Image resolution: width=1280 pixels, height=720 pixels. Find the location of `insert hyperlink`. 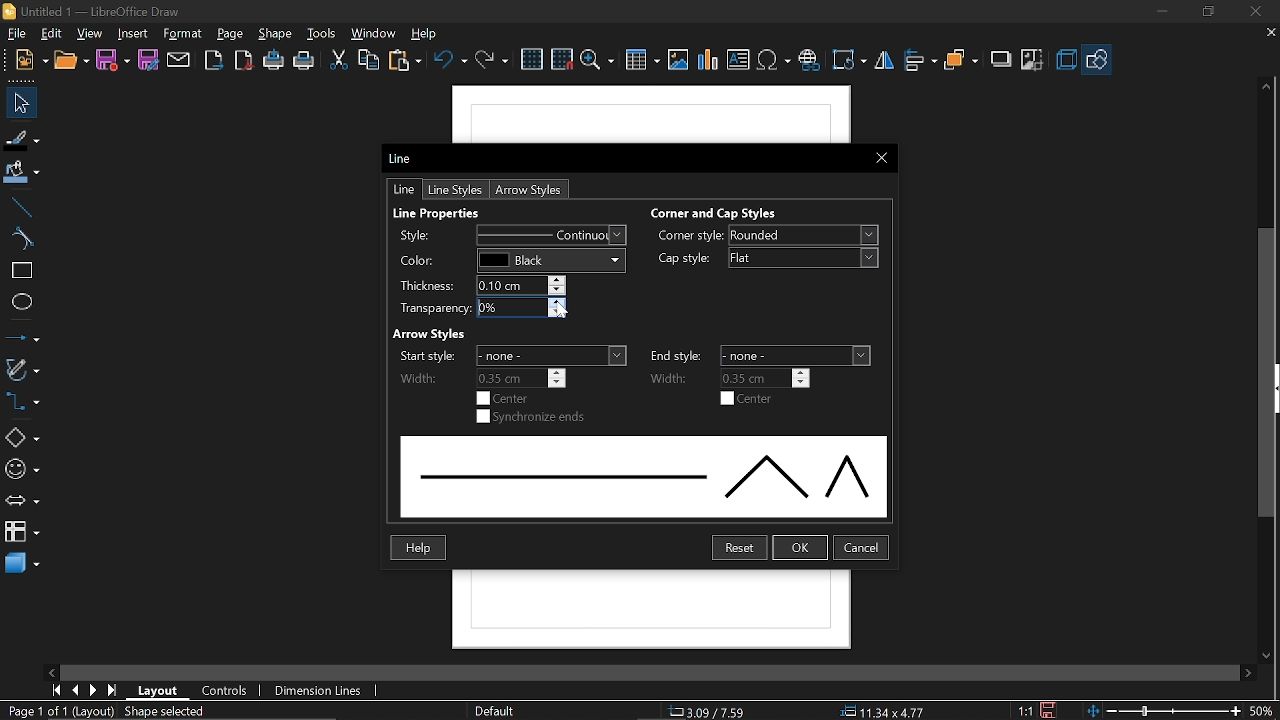

insert hyperlink is located at coordinates (809, 60).